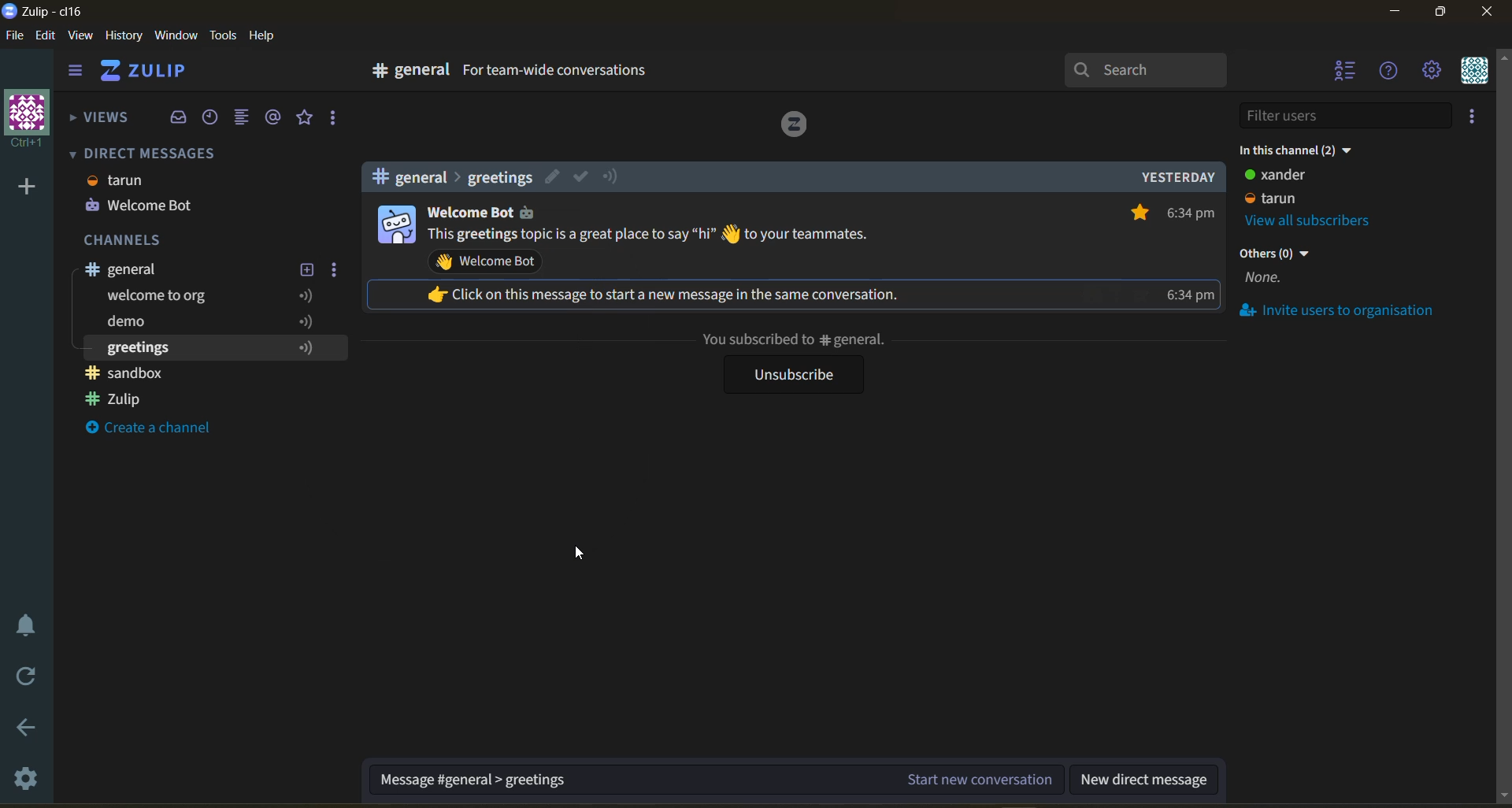 This screenshot has width=1512, height=808. I want to click on mark, so click(580, 176).